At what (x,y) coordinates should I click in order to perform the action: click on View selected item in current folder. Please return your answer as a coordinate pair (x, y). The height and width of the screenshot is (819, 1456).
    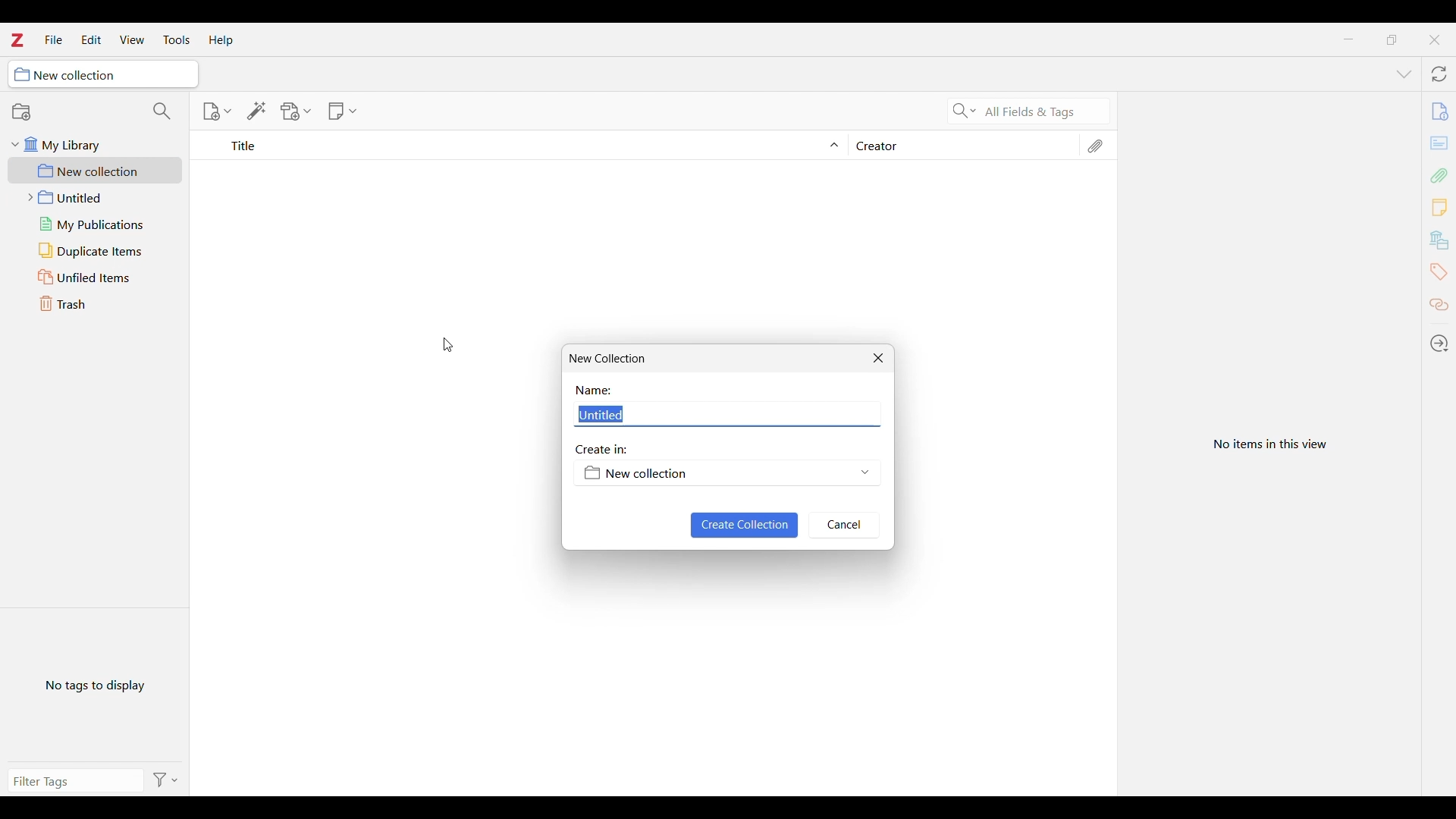
    Looking at the image, I should click on (1268, 445).